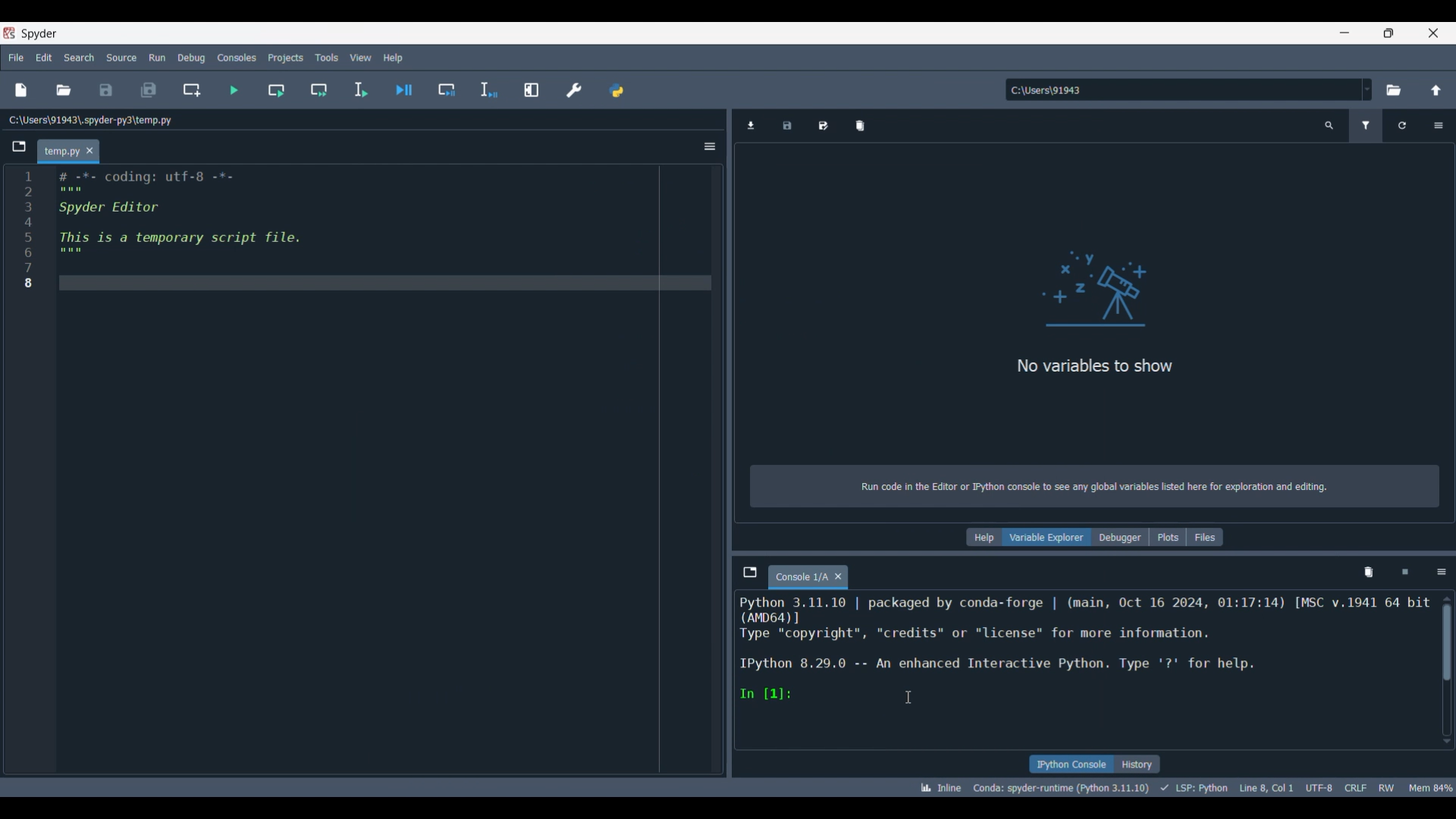 This screenshot has width=1456, height=819. Describe the element at coordinates (1205, 537) in the screenshot. I see `Files` at that location.